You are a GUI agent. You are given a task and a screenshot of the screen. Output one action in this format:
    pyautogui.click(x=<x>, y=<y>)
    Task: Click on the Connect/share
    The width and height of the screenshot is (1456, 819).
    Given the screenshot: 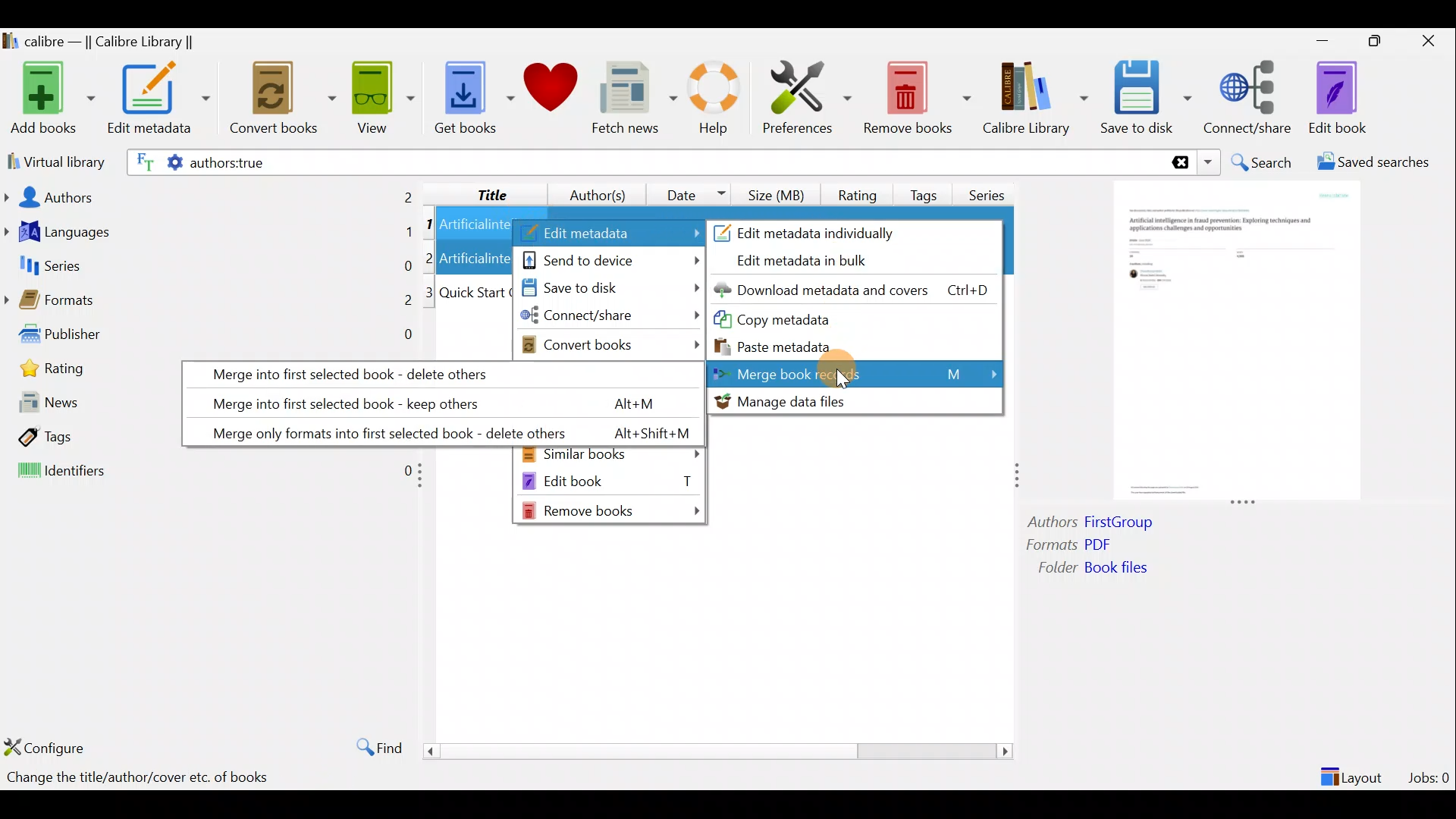 What is the action you would take?
    pyautogui.click(x=610, y=318)
    